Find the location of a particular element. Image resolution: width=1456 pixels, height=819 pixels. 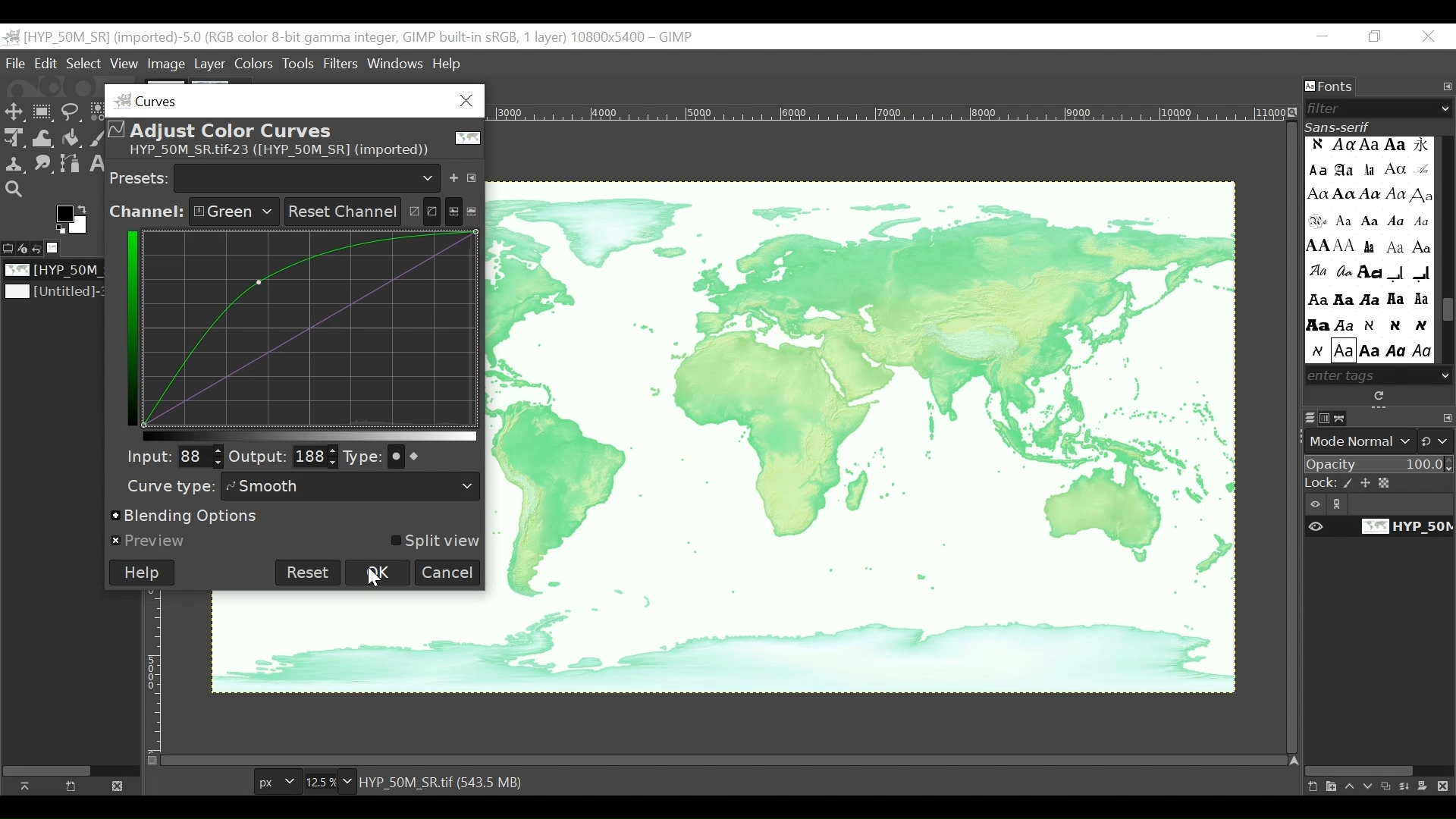

Cancel is located at coordinates (448, 573).